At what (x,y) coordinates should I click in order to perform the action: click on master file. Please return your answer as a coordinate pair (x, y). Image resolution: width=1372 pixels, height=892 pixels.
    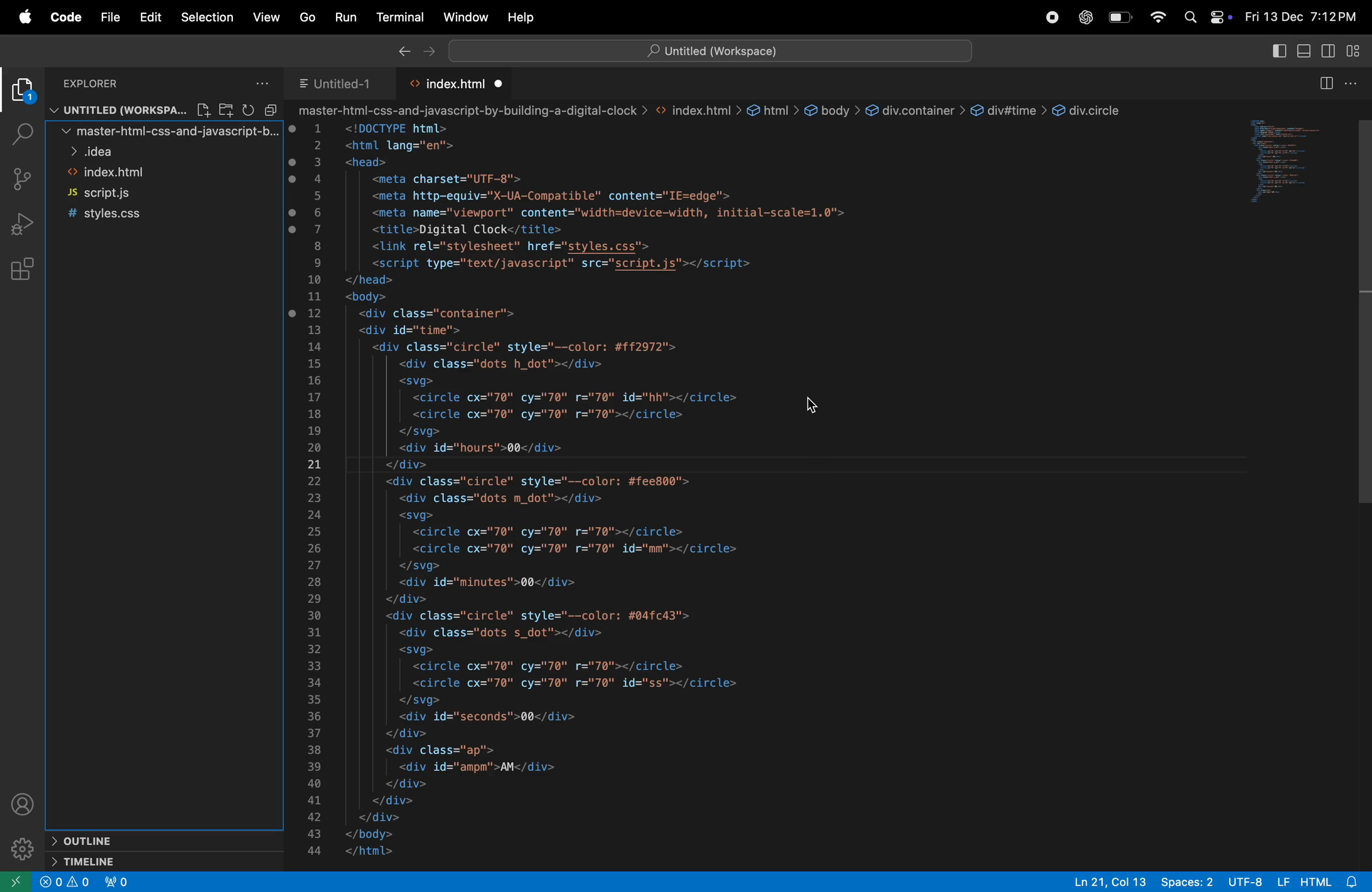
    Looking at the image, I should click on (158, 134).